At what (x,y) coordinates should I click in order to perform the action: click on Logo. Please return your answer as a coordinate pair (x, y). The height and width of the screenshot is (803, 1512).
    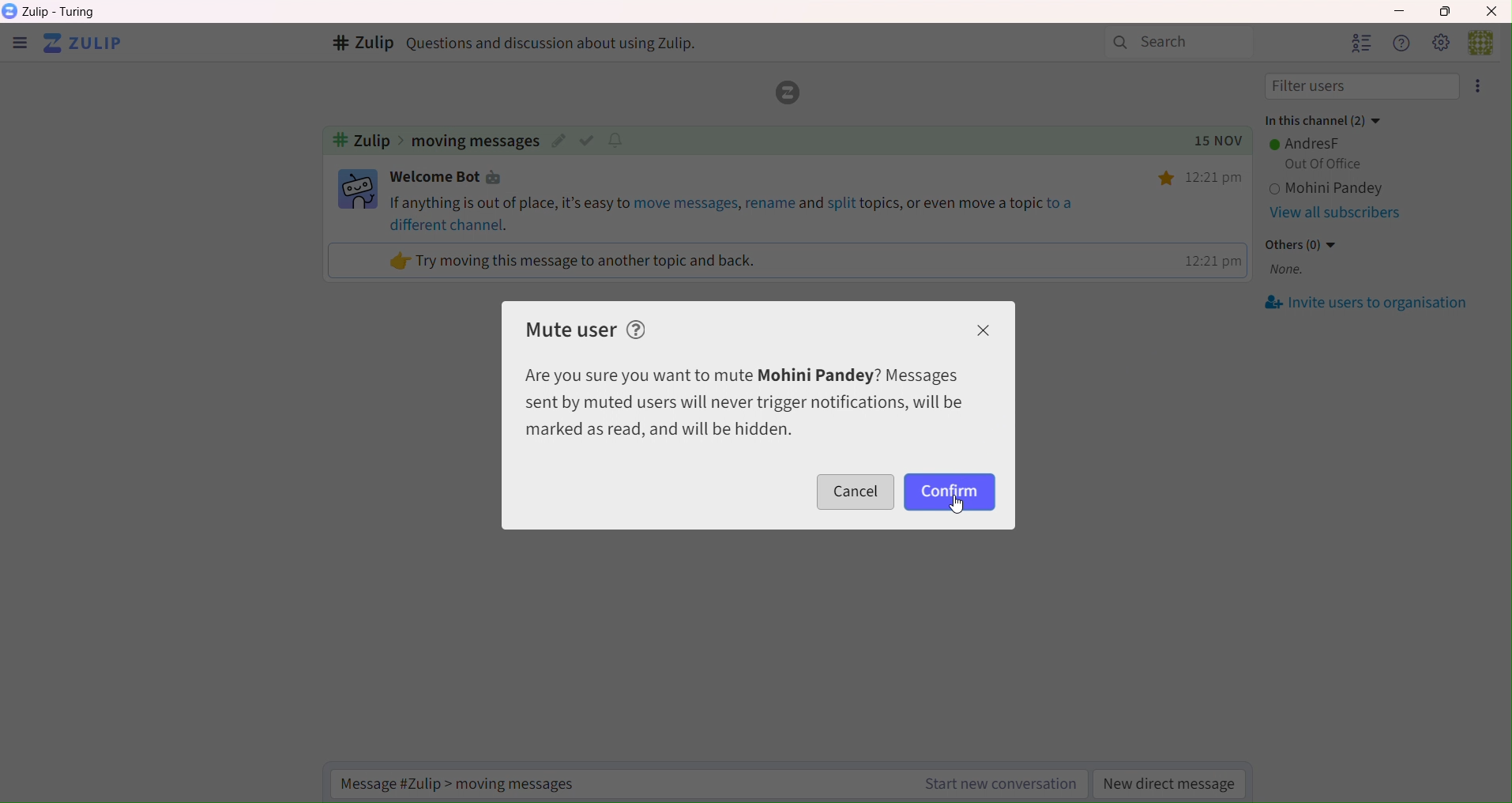
    Looking at the image, I should click on (784, 93).